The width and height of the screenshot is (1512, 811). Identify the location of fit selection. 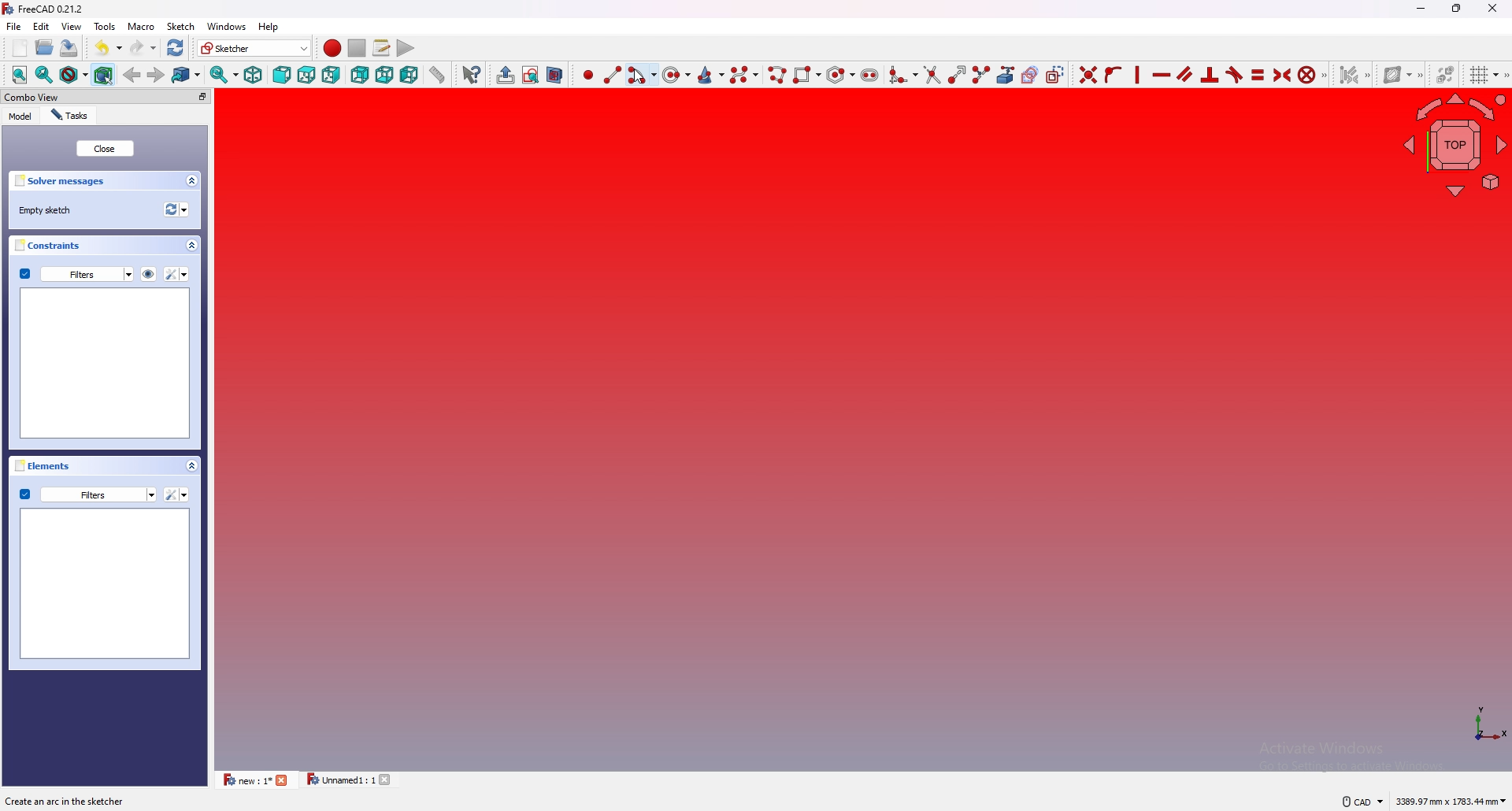
(44, 74).